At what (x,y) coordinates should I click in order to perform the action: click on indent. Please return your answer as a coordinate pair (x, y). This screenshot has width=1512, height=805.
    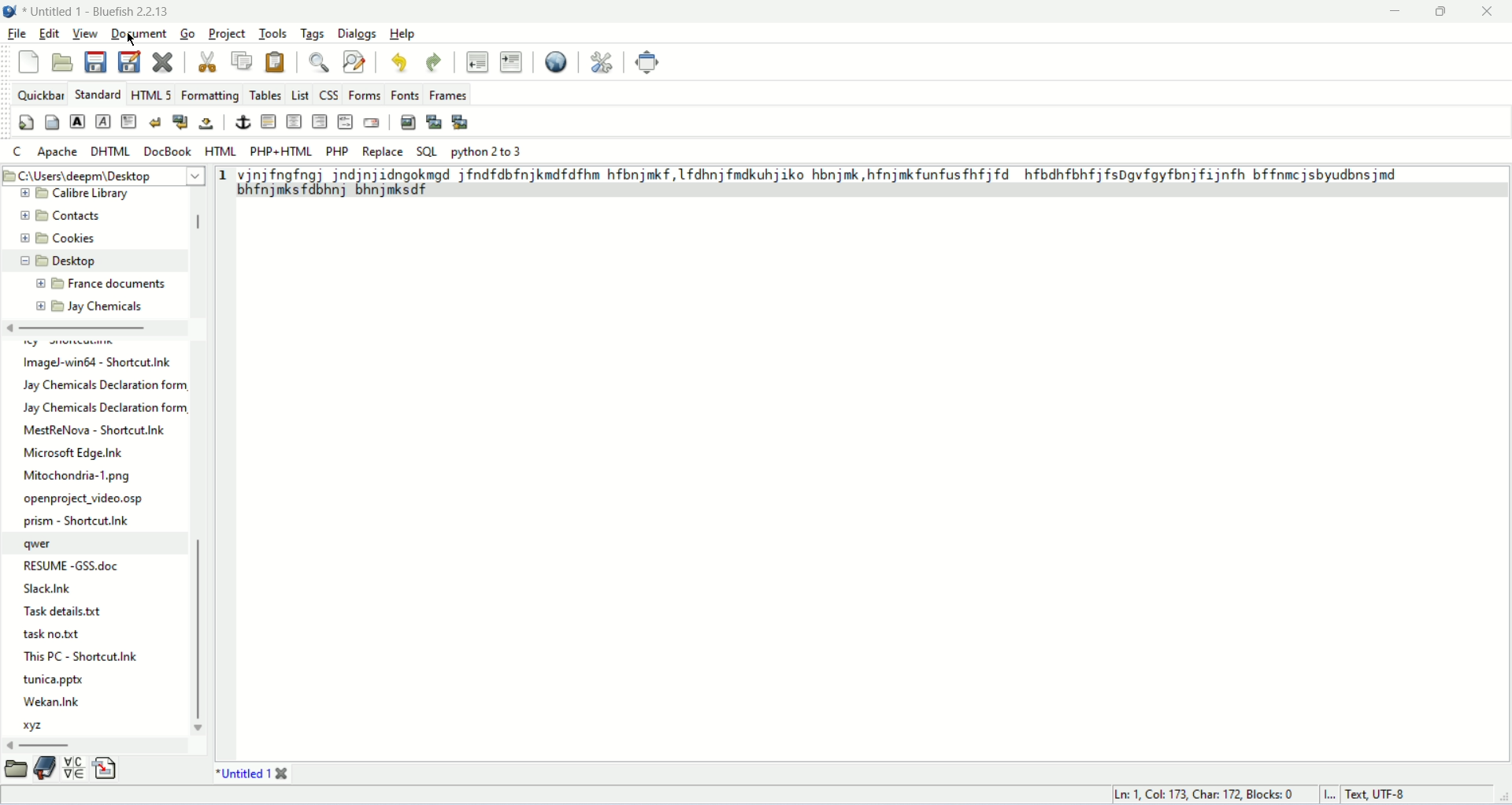
    Looking at the image, I should click on (510, 61).